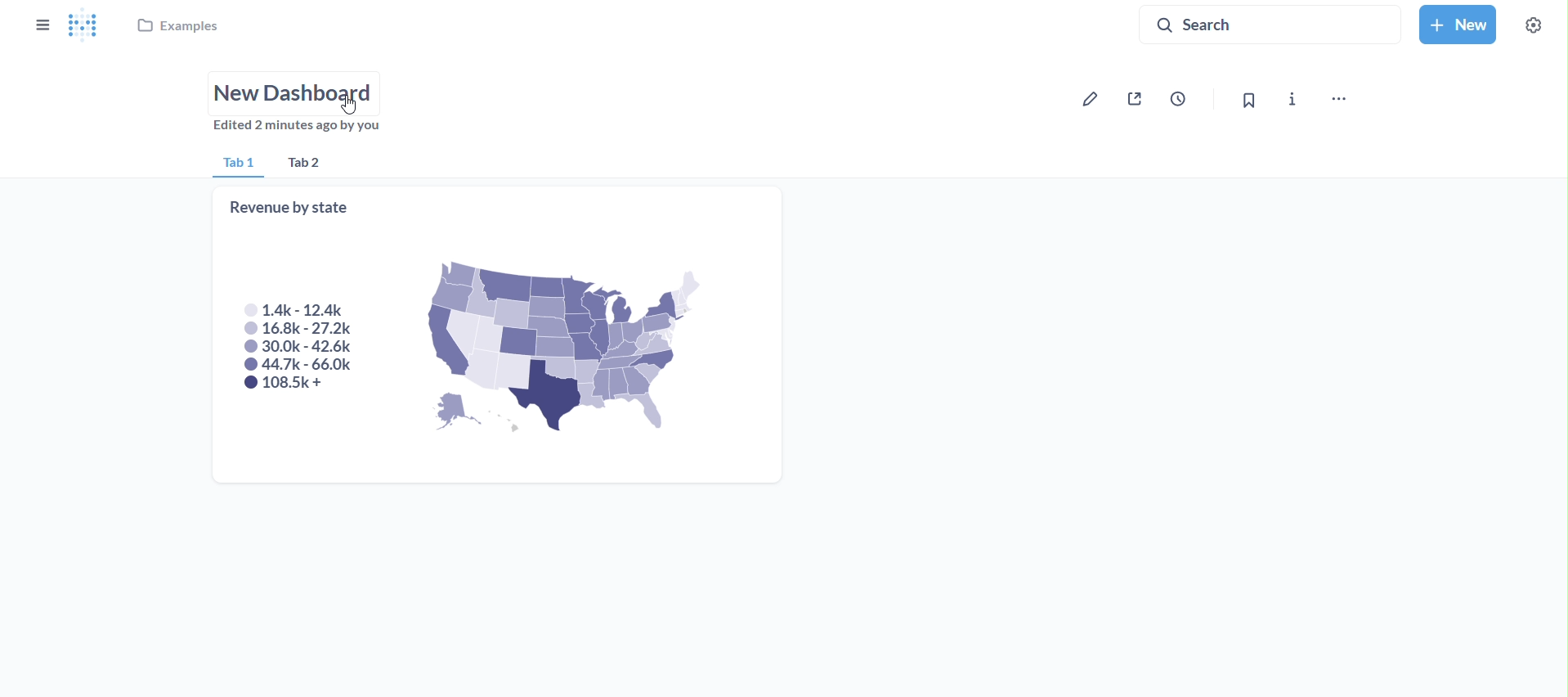 The width and height of the screenshot is (1568, 697). I want to click on tab 2, so click(313, 164).